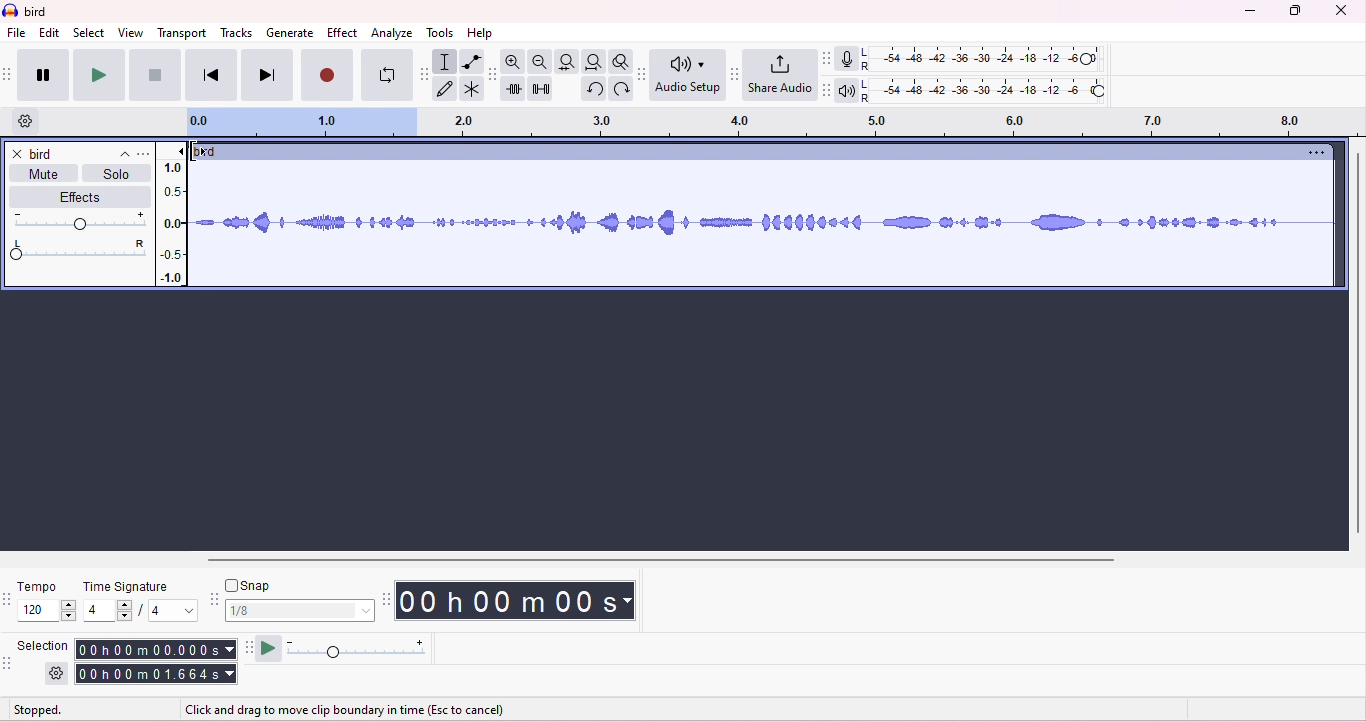  What do you see at coordinates (301, 610) in the screenshot?
I see `select snap` at bounding box center [301, 610].